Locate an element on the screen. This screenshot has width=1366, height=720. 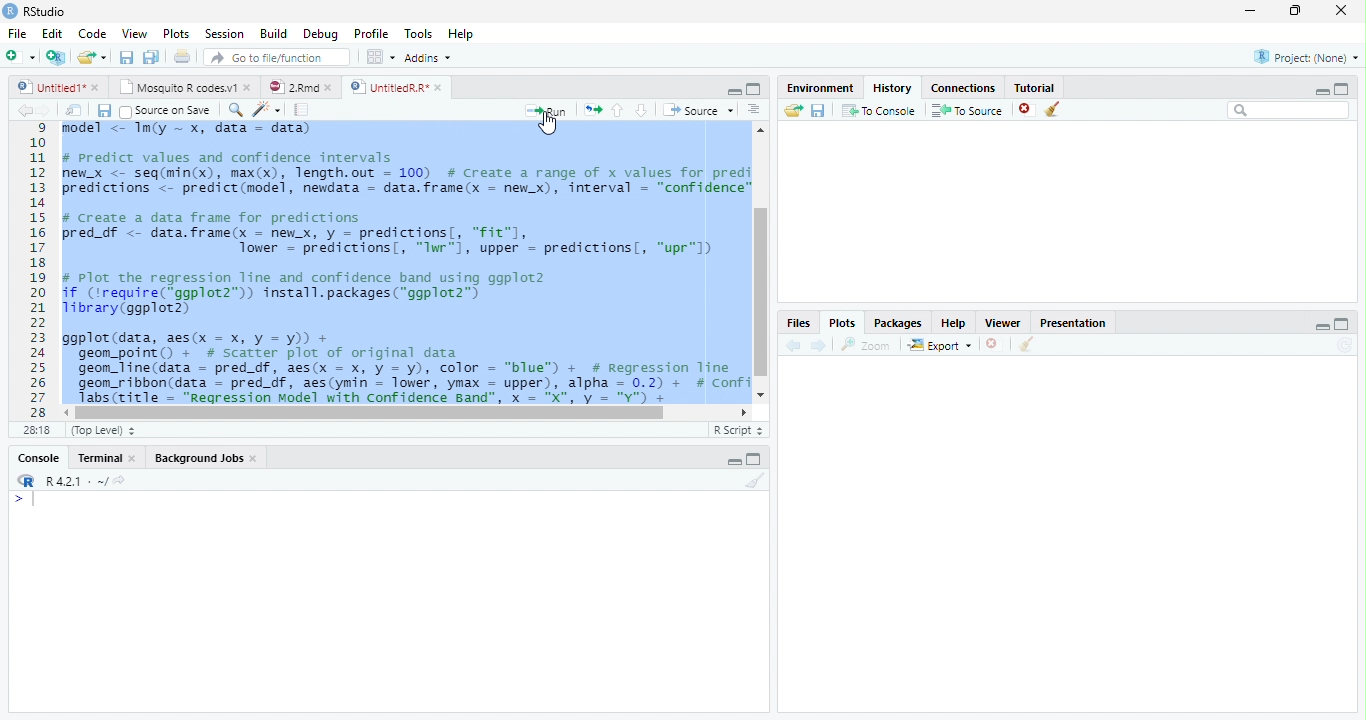
Zoom is located at coordinates (865, 346).